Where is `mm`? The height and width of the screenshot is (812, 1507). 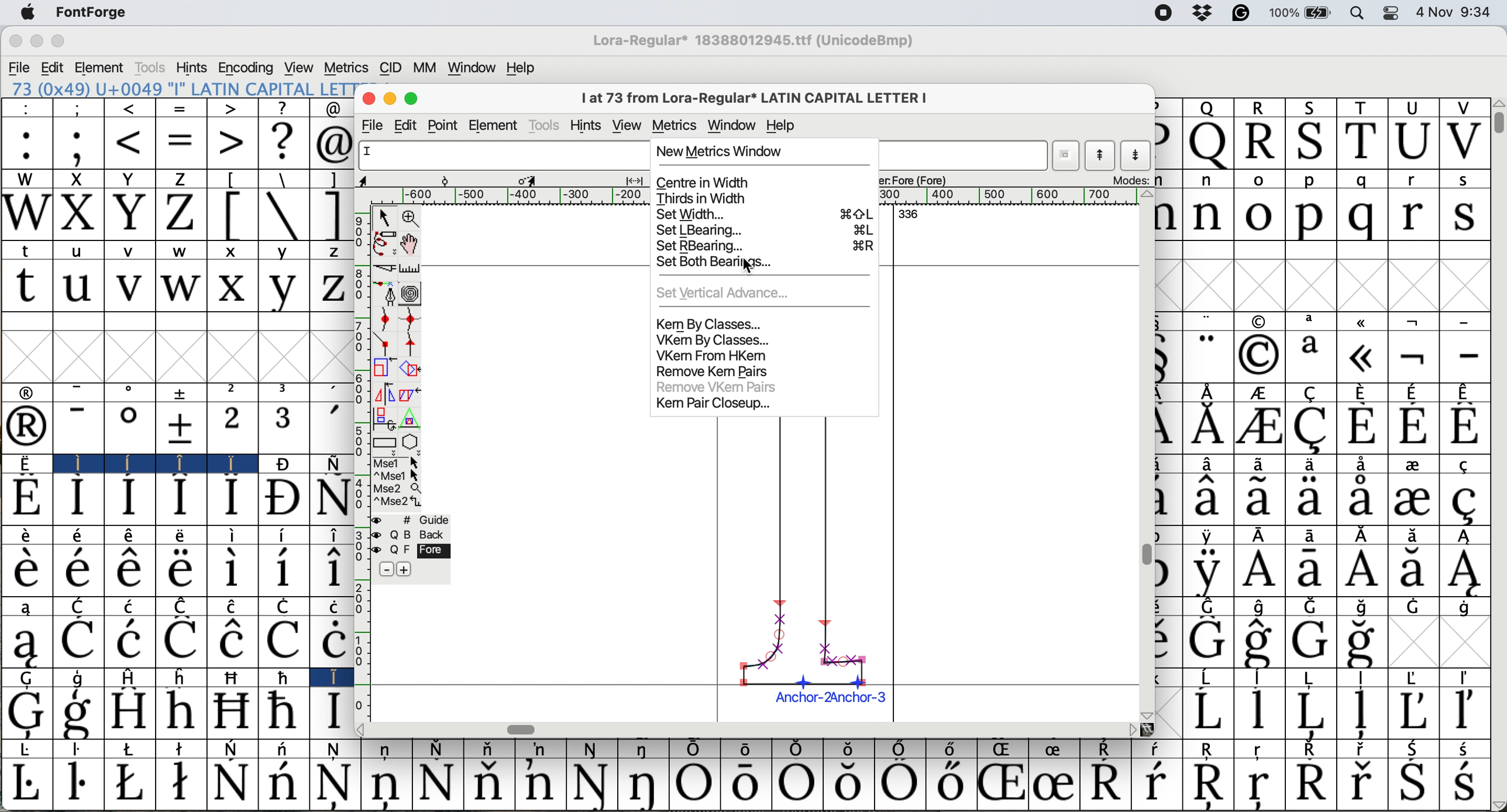
mm is located at coordinates (423, 67).